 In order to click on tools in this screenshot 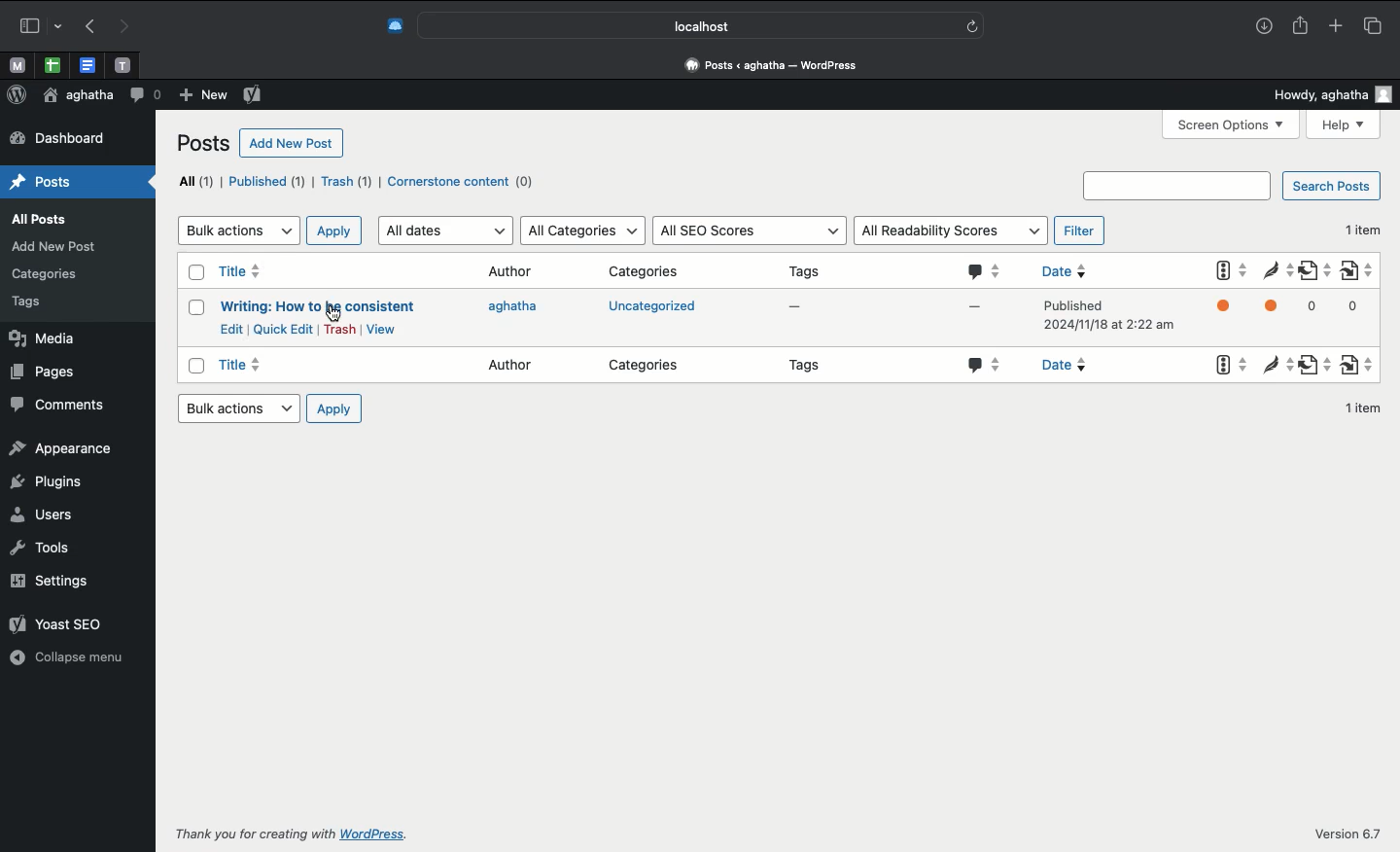, I will do `click(40, 548)`.